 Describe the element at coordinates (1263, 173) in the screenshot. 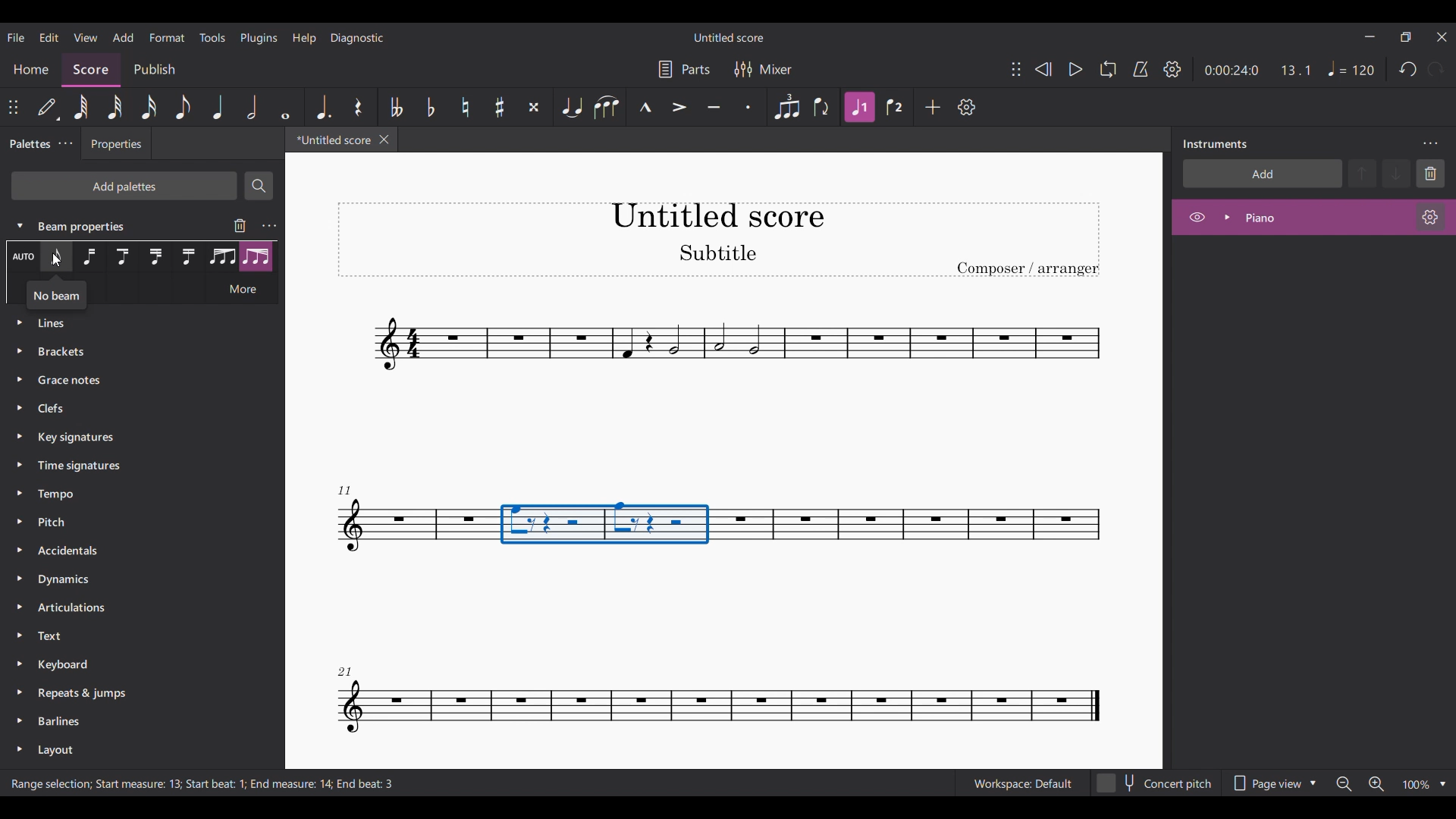

I see `Add instrument` at that location.